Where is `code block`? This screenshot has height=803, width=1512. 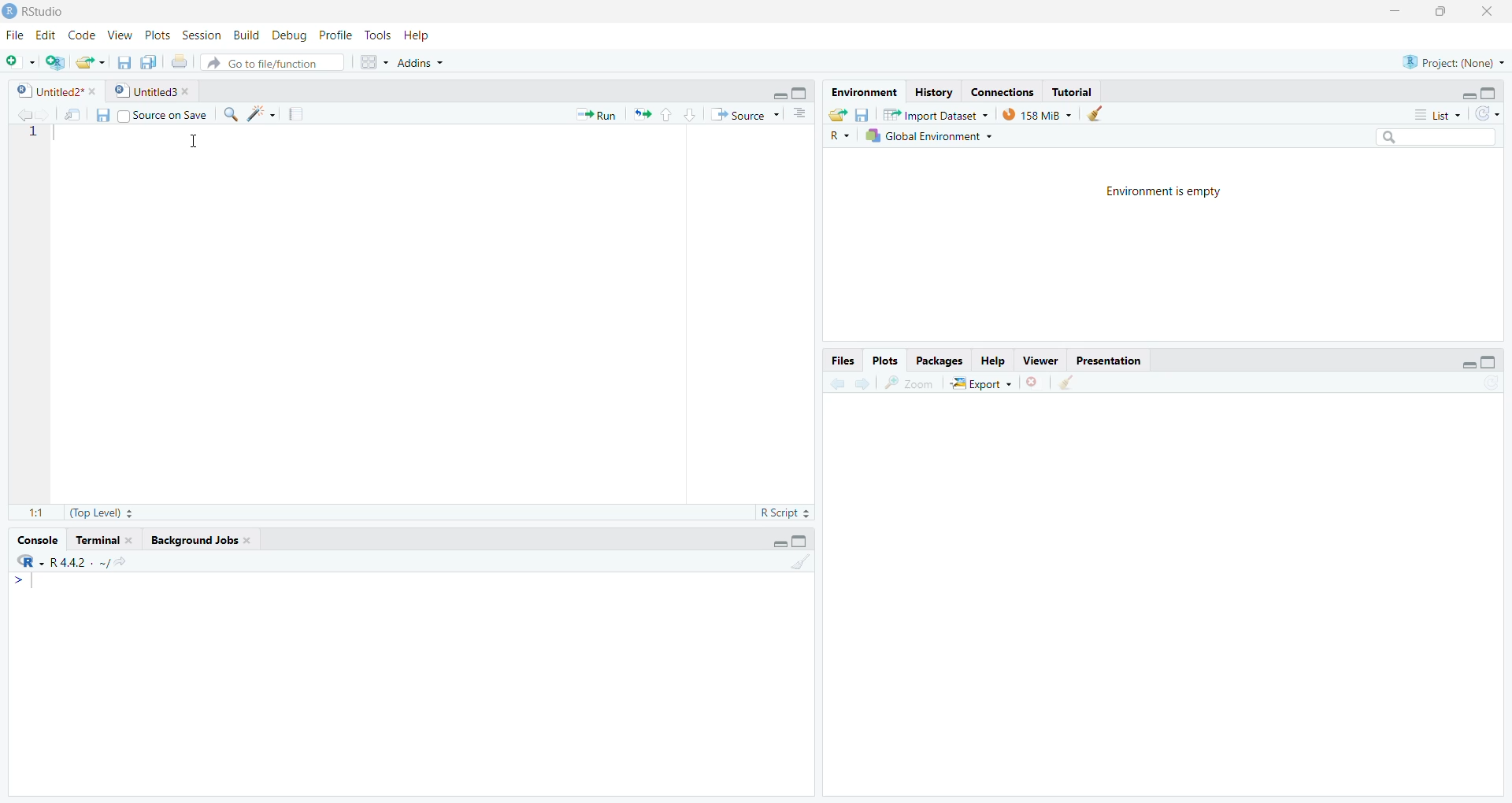
code block is located at coordinates (254, 113).